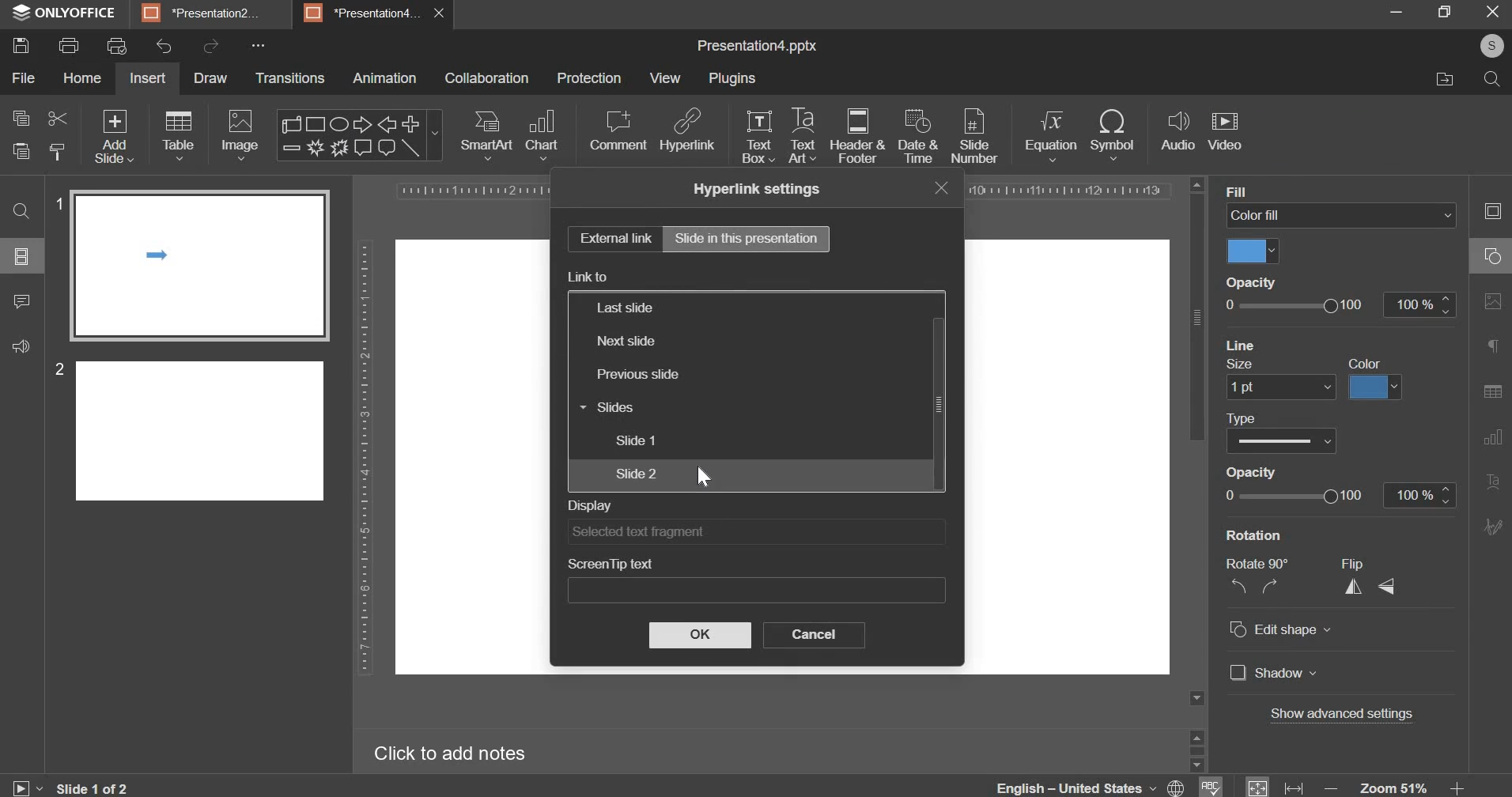  Describe the element at coordinates (1291, 345) in the screenshot. I see `` at that location.